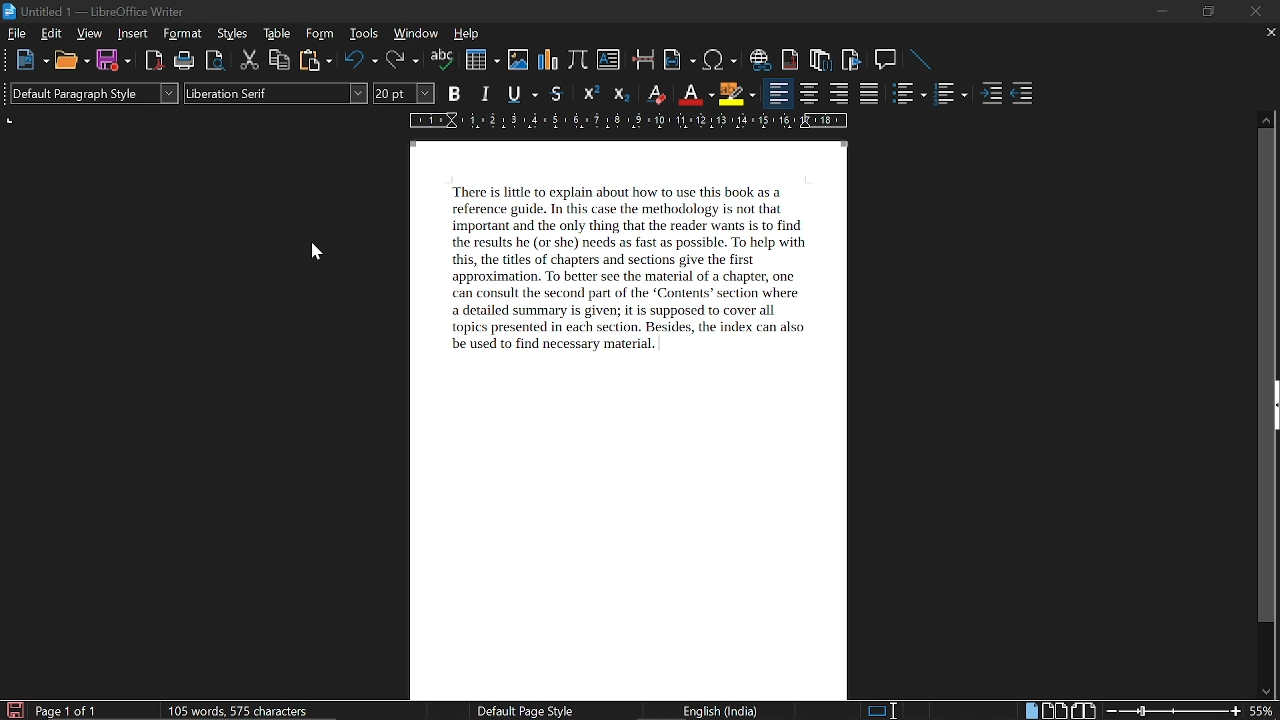  What do you see at coordinates (881, 711) in the screenshot?
I see `selection method` at bounding box center [881, 711].